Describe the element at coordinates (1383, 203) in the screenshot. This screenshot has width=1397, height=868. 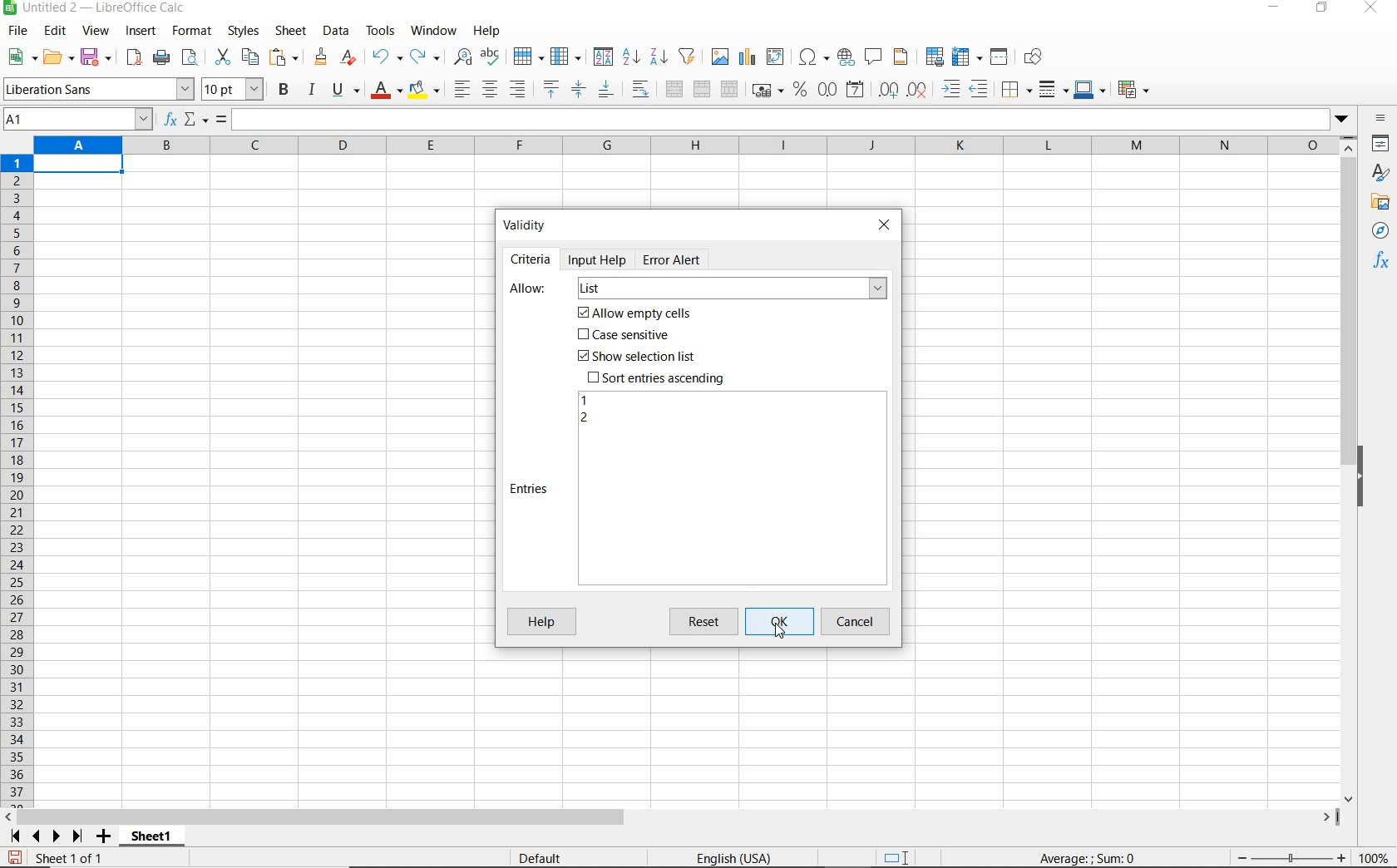
I see `gallery` at that location.